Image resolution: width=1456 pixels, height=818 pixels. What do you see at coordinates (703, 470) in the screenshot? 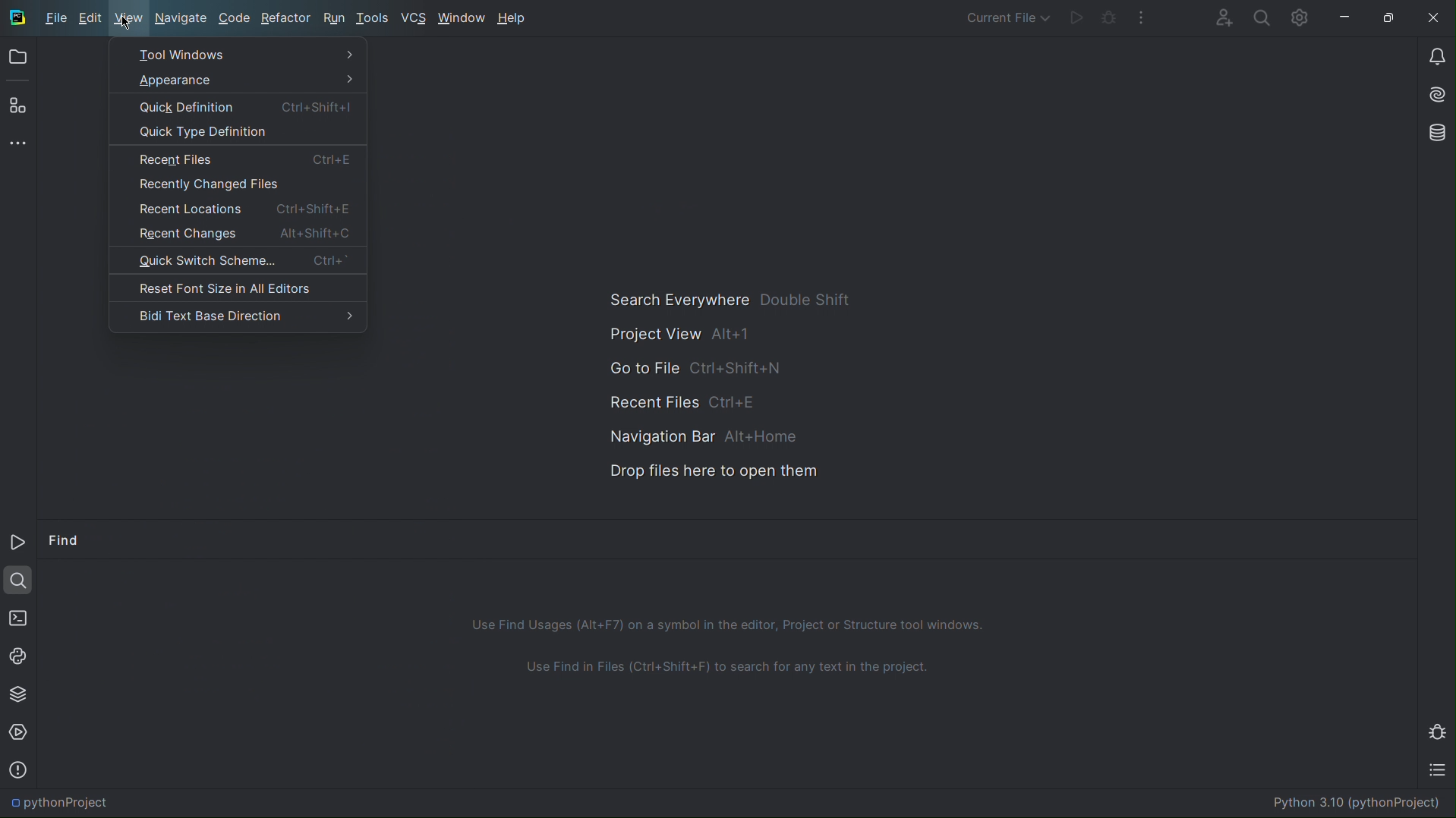
I see `Drop files here to open them` at bounding box center [703, 470].